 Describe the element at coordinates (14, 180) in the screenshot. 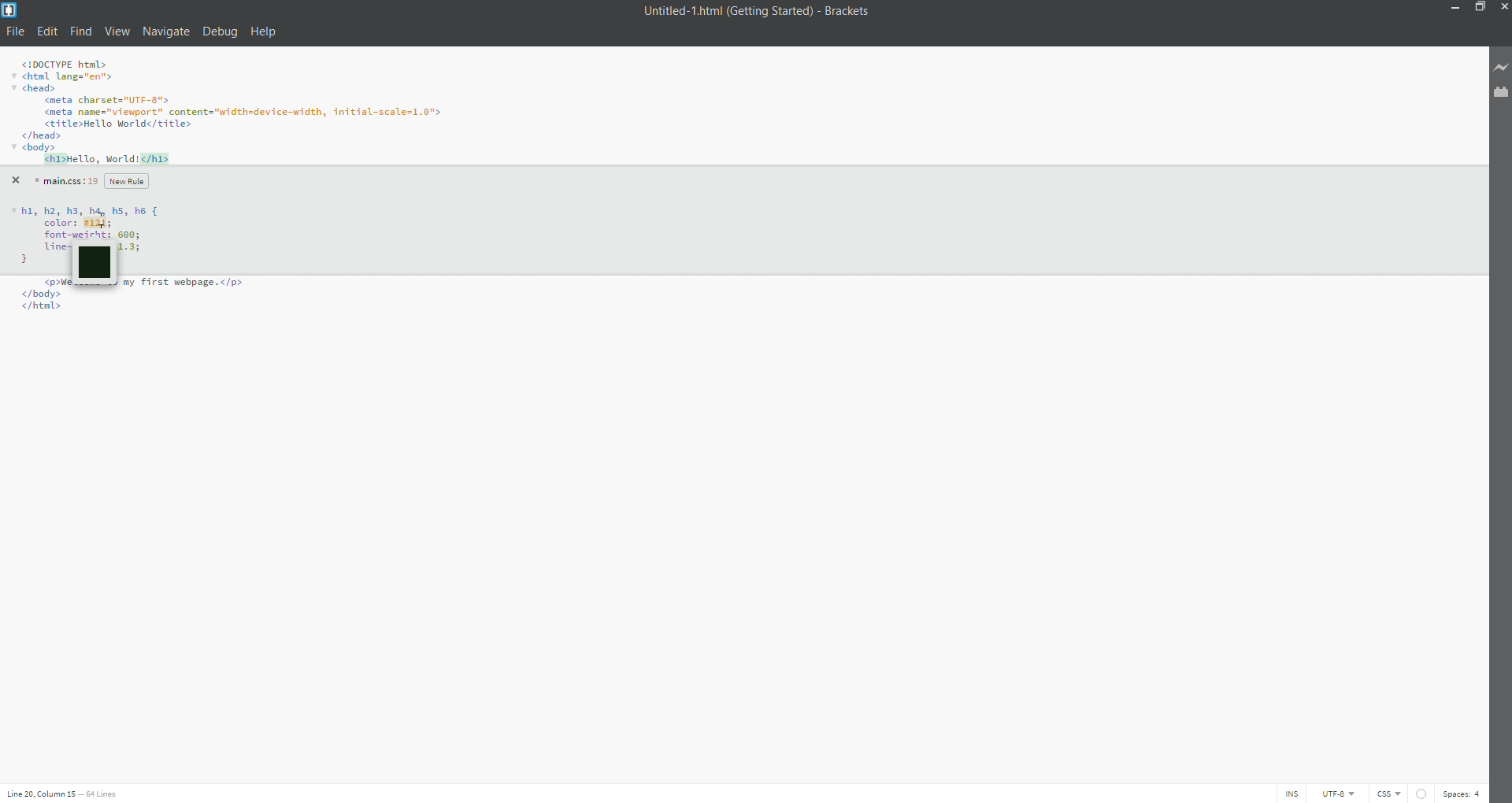

I see `close quick edit` at that location.